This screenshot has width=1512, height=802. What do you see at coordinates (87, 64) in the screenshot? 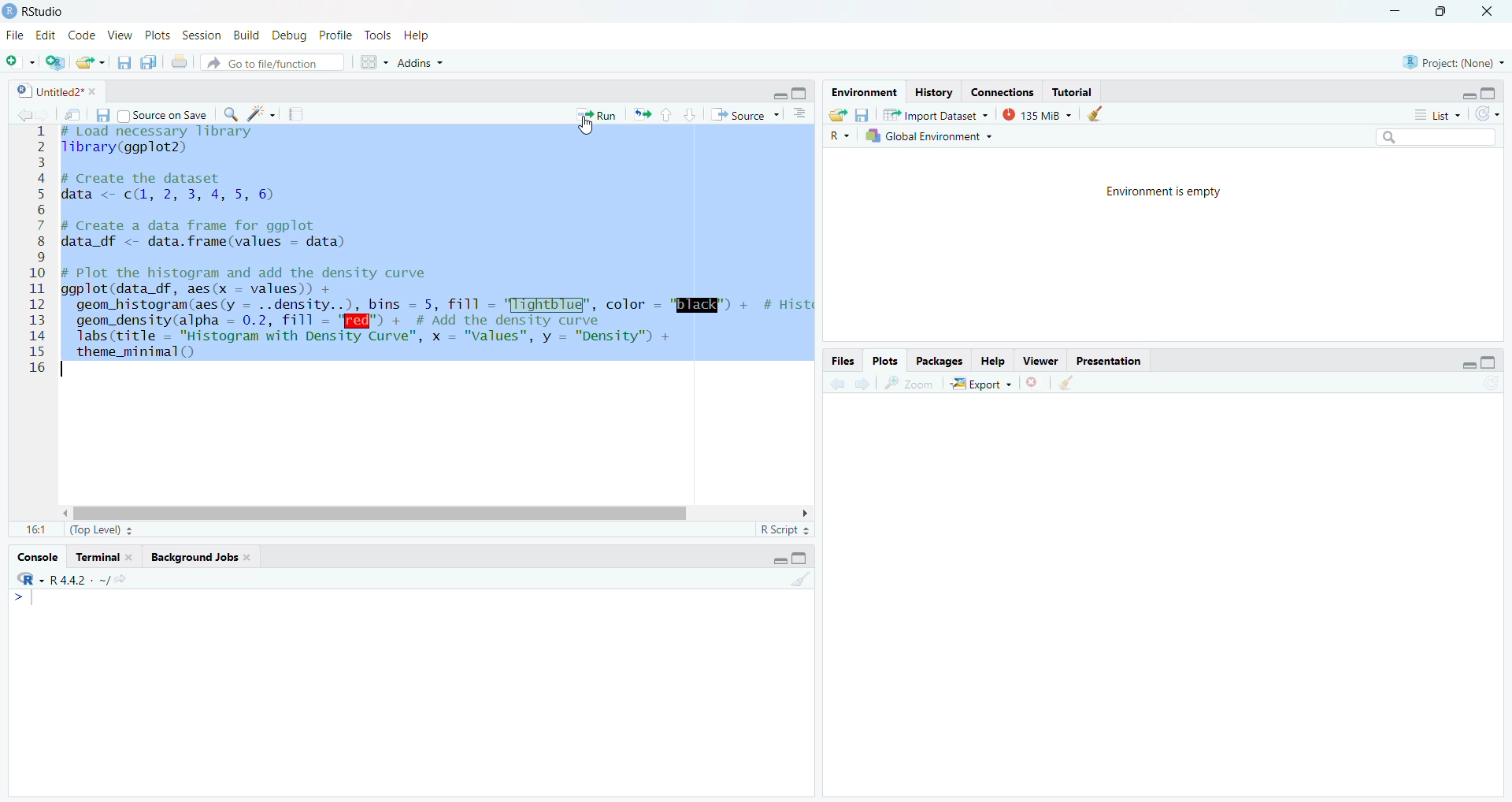
I see `open an existing file` at bounding box center [87, 64].